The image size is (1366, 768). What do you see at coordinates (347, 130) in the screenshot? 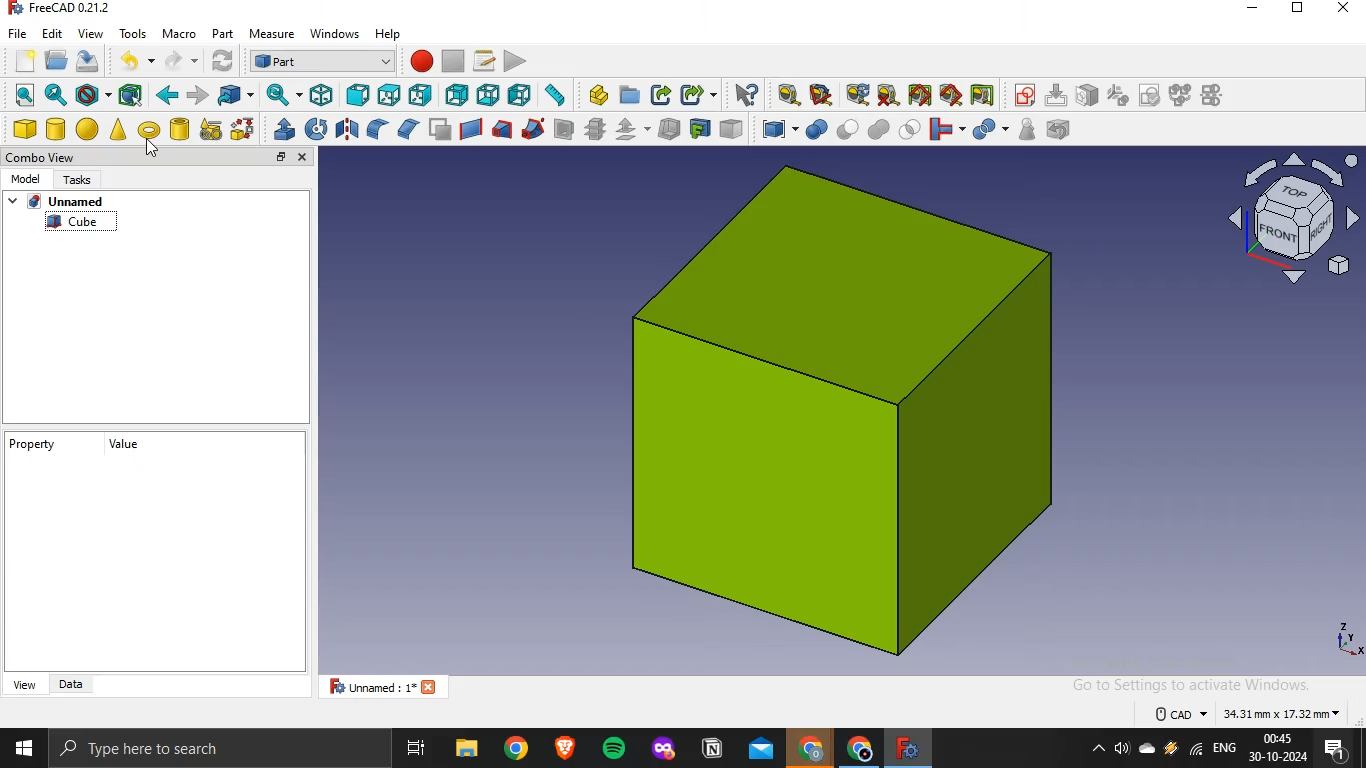
I see `mirroring` at bounding box center [347, 130].